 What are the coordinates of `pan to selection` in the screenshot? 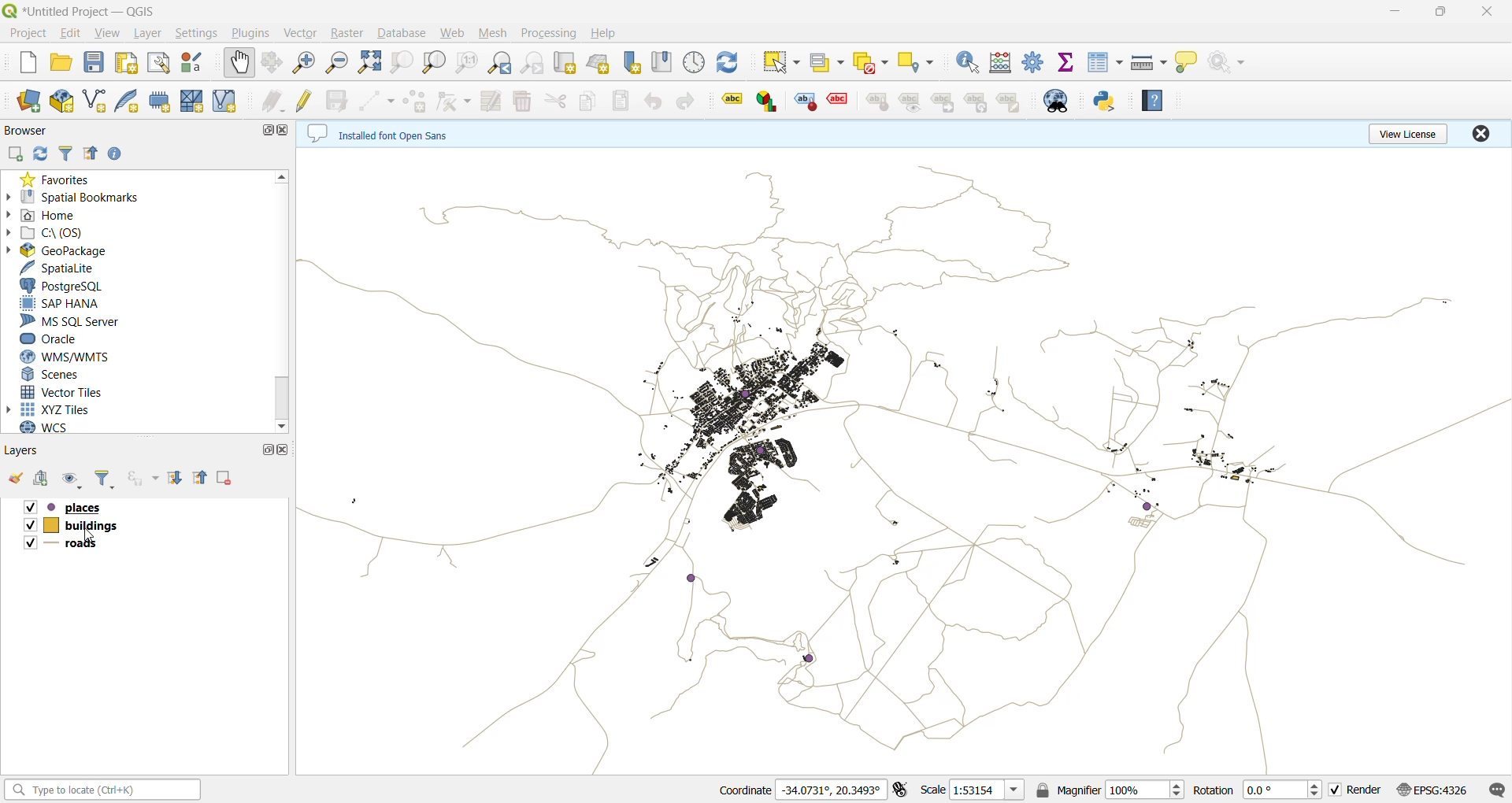 It's located at (274, 65).